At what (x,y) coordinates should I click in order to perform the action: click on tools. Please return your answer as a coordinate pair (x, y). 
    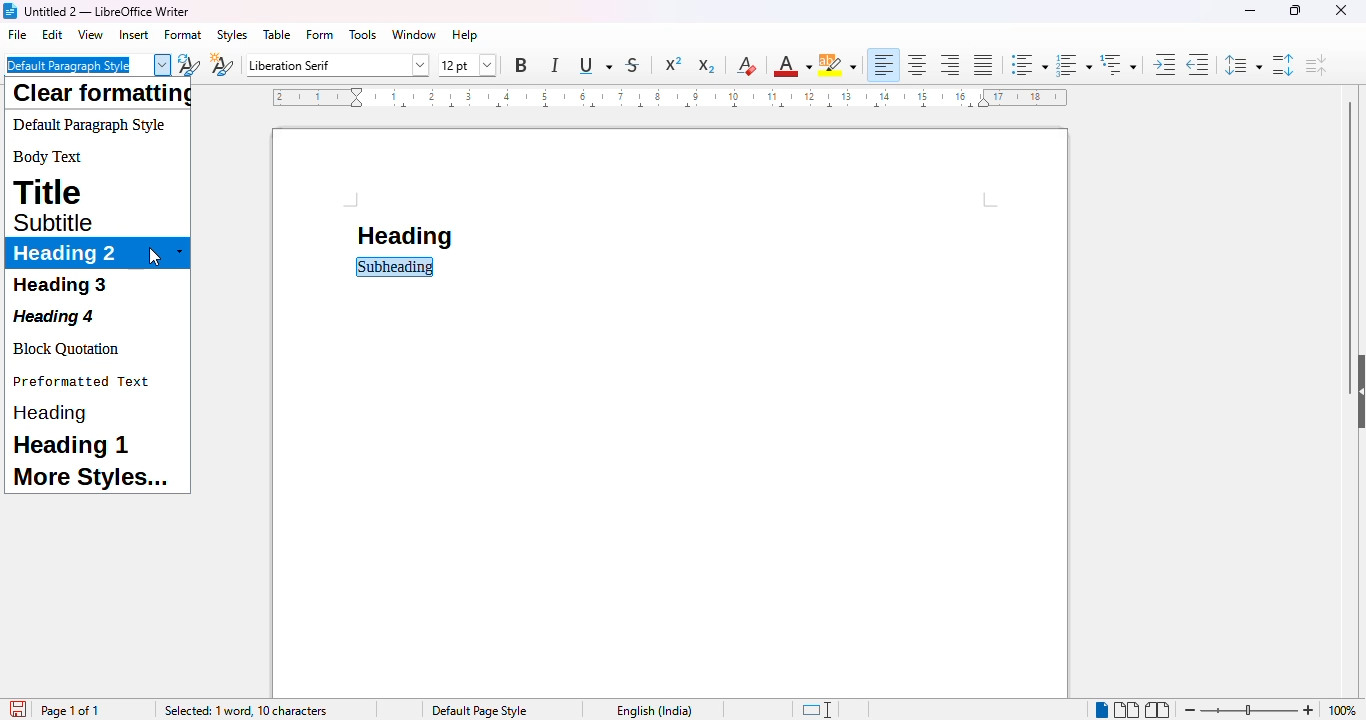
    Looking at the image, I should click on (363, 35).